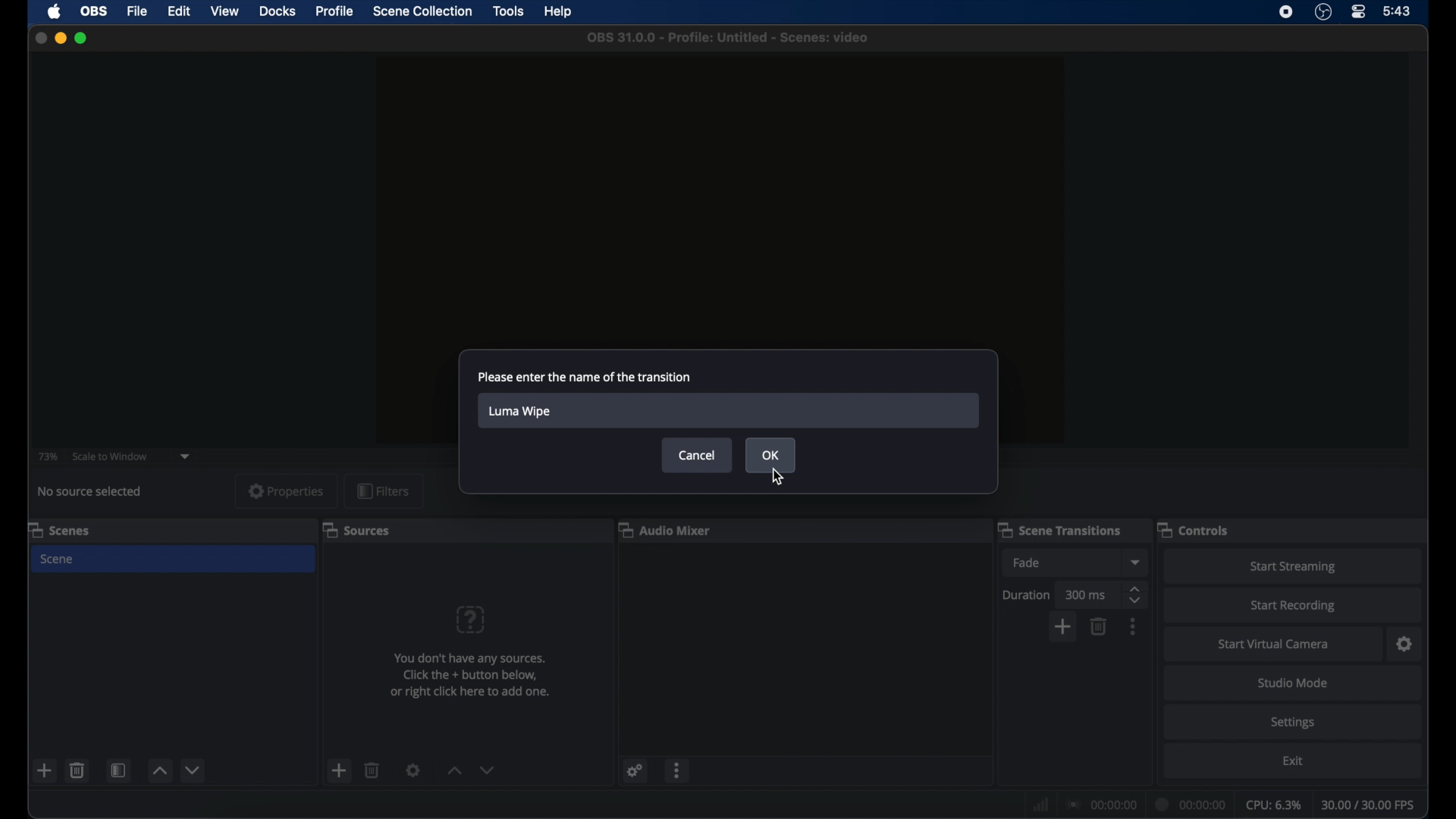 The width and height of the screenshot is (1456, 819). What do you see at coordinates (1041, 805) in the screenshot?
I see `network` at bounding box center [1041, 805].